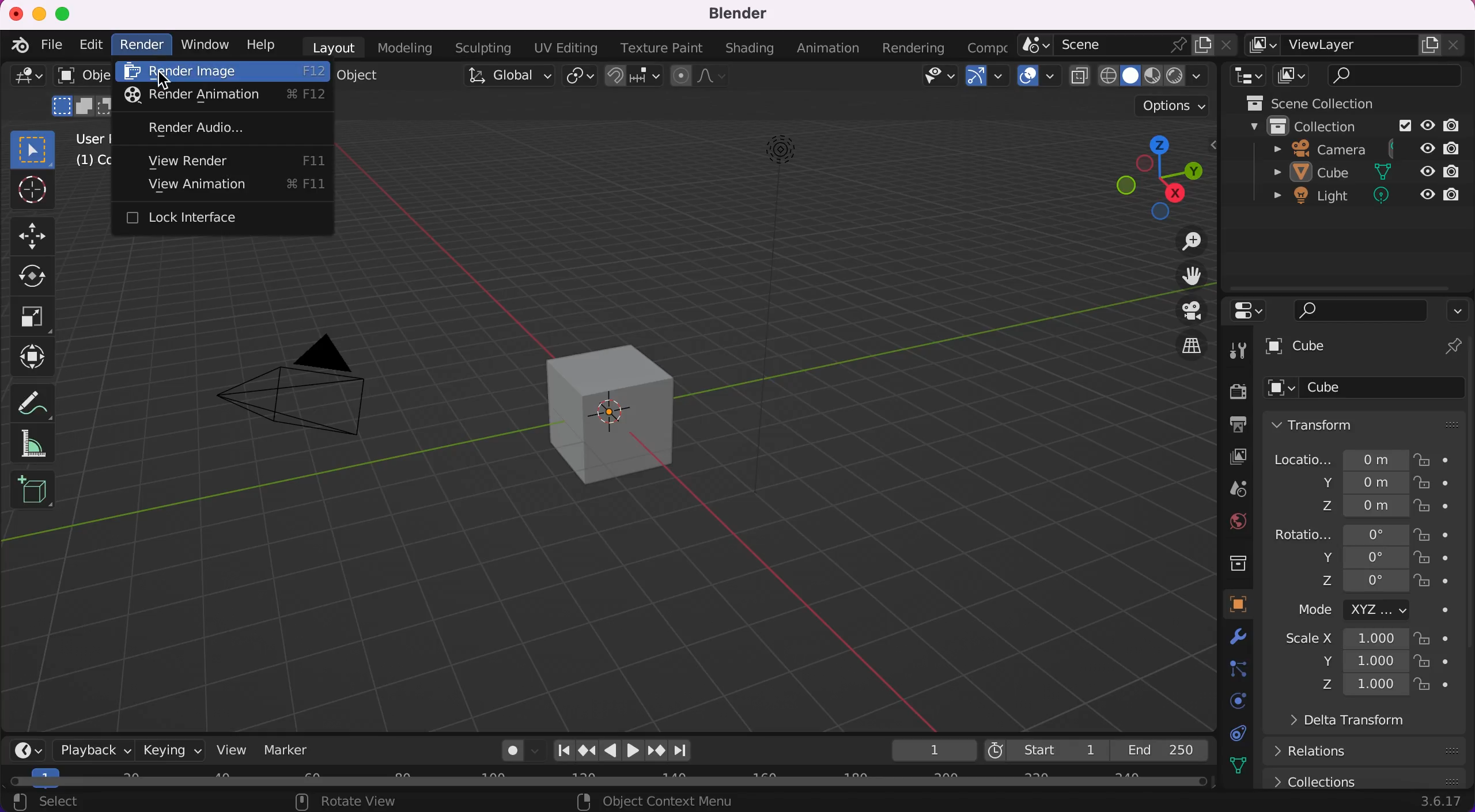 The width and height of the screenshot is (1475, 812). Describe the element at coordinates (14, 10) in the screenshot. I see `close` at that location.